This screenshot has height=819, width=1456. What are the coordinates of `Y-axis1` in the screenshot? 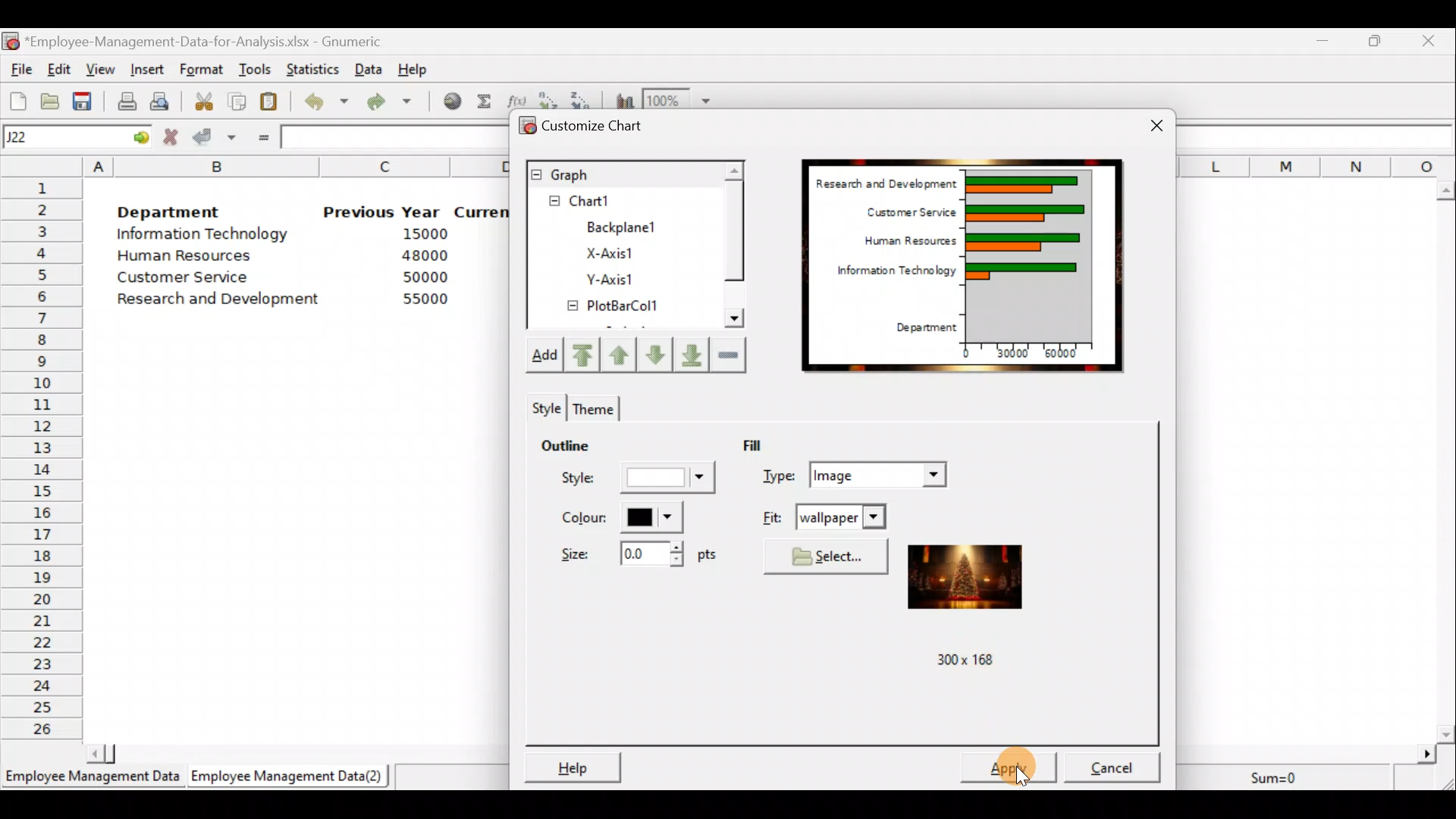 It's located at (608, 281).